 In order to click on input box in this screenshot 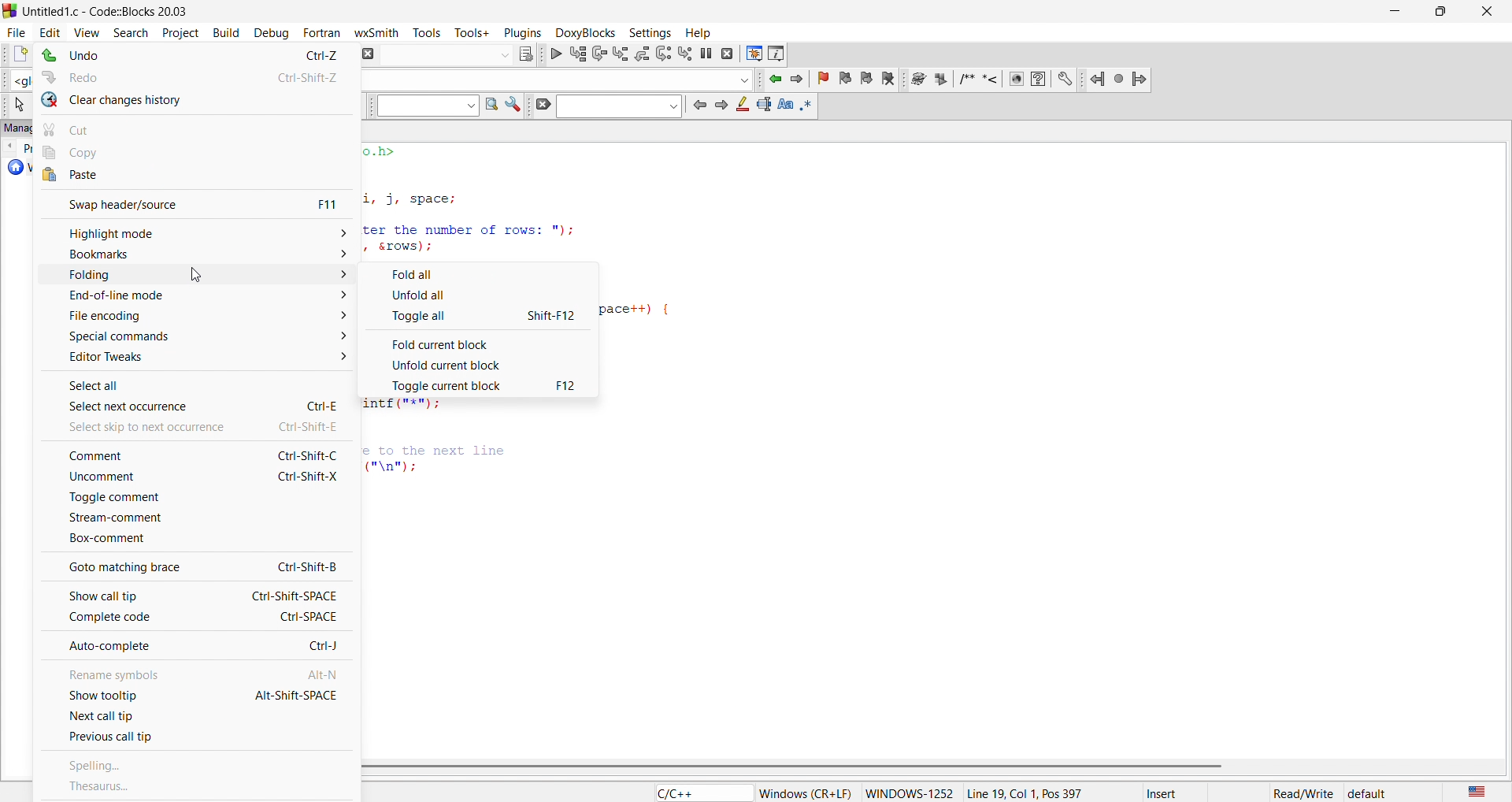, I will do `click(443, 51)`.